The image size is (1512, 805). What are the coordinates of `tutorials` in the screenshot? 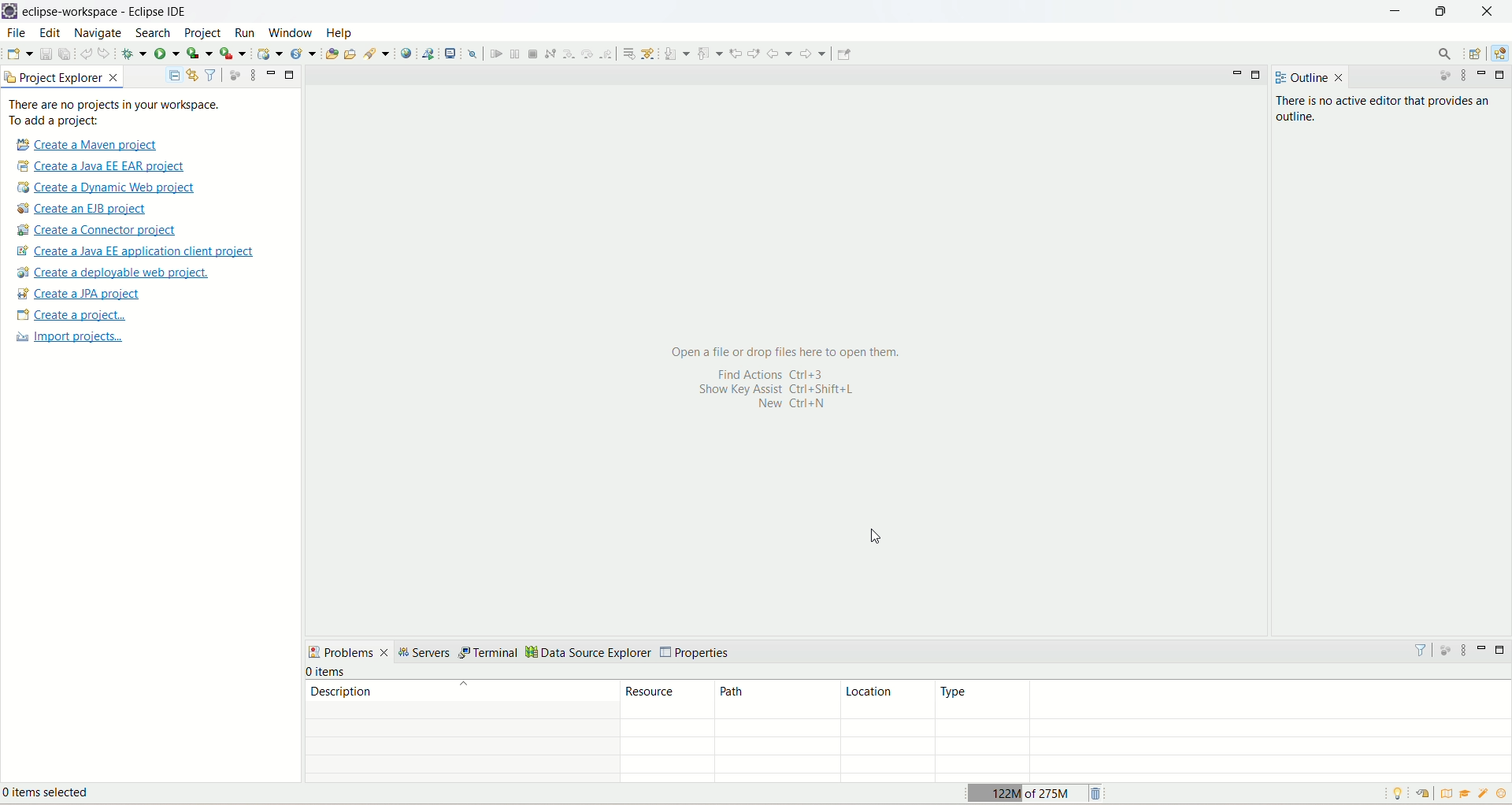 It's located at (1467, 794).